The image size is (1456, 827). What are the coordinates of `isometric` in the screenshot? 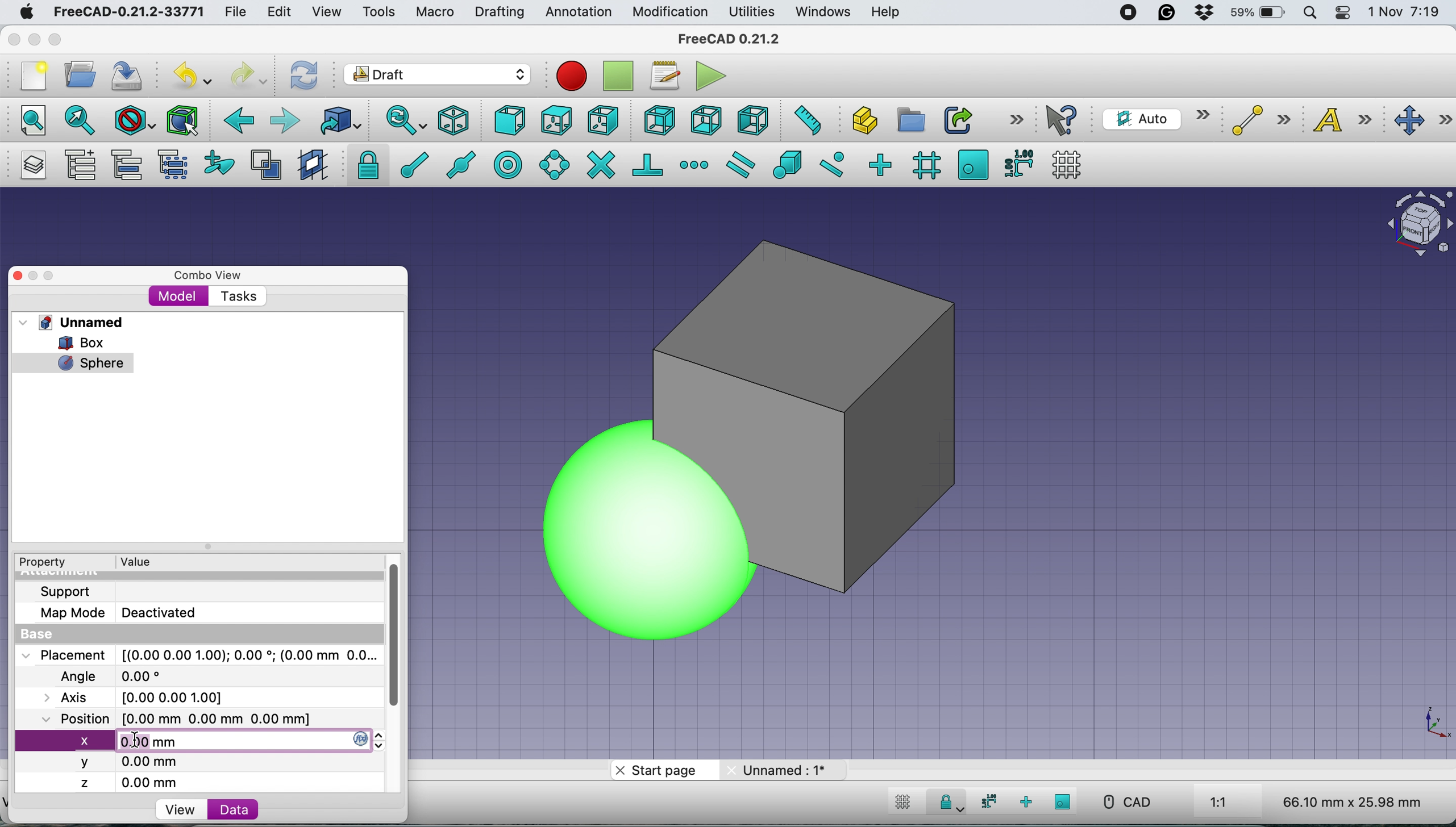 It's located at (458, 120).